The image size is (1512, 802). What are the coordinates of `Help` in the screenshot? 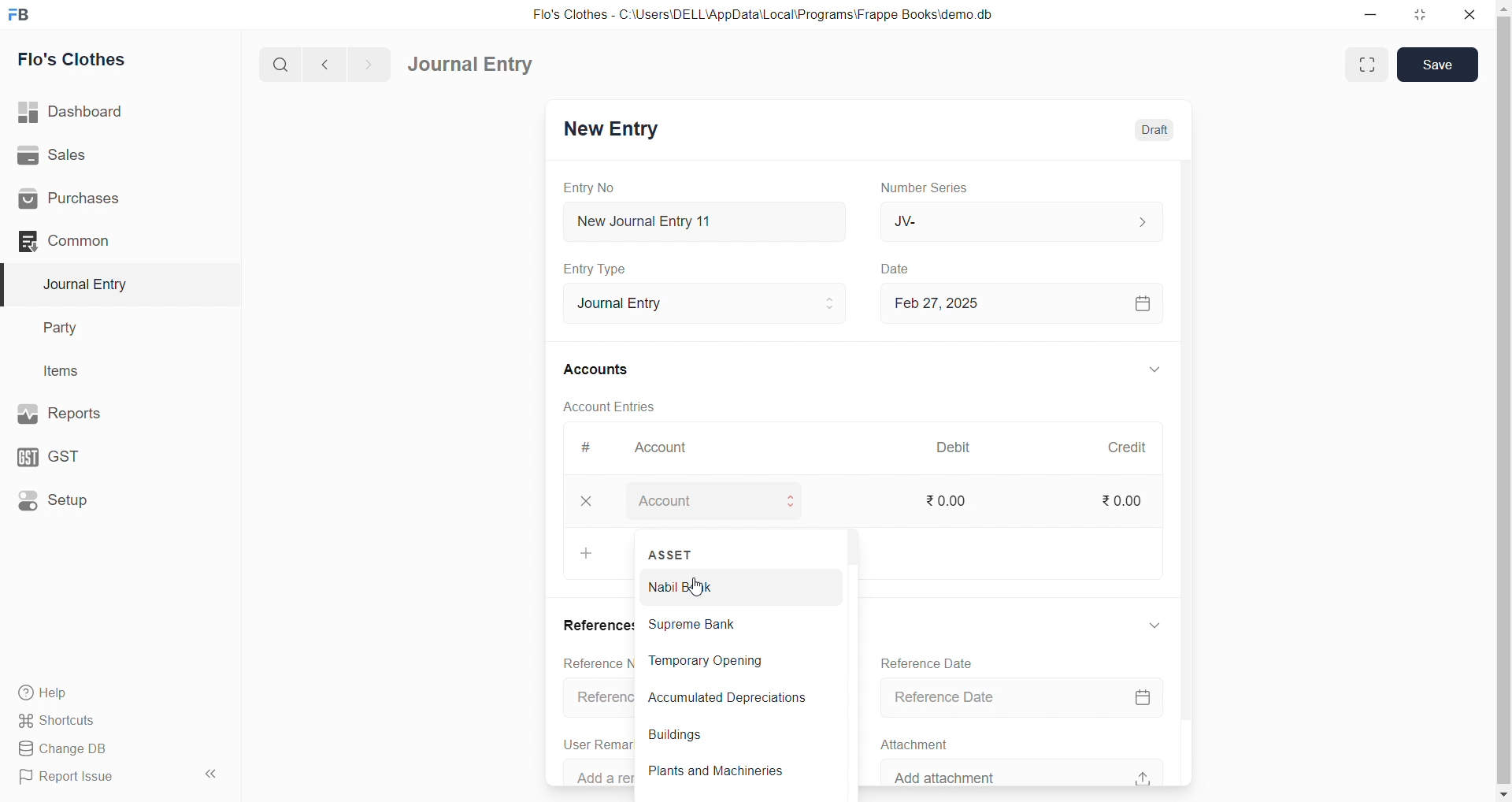 It's located at (98, 694).